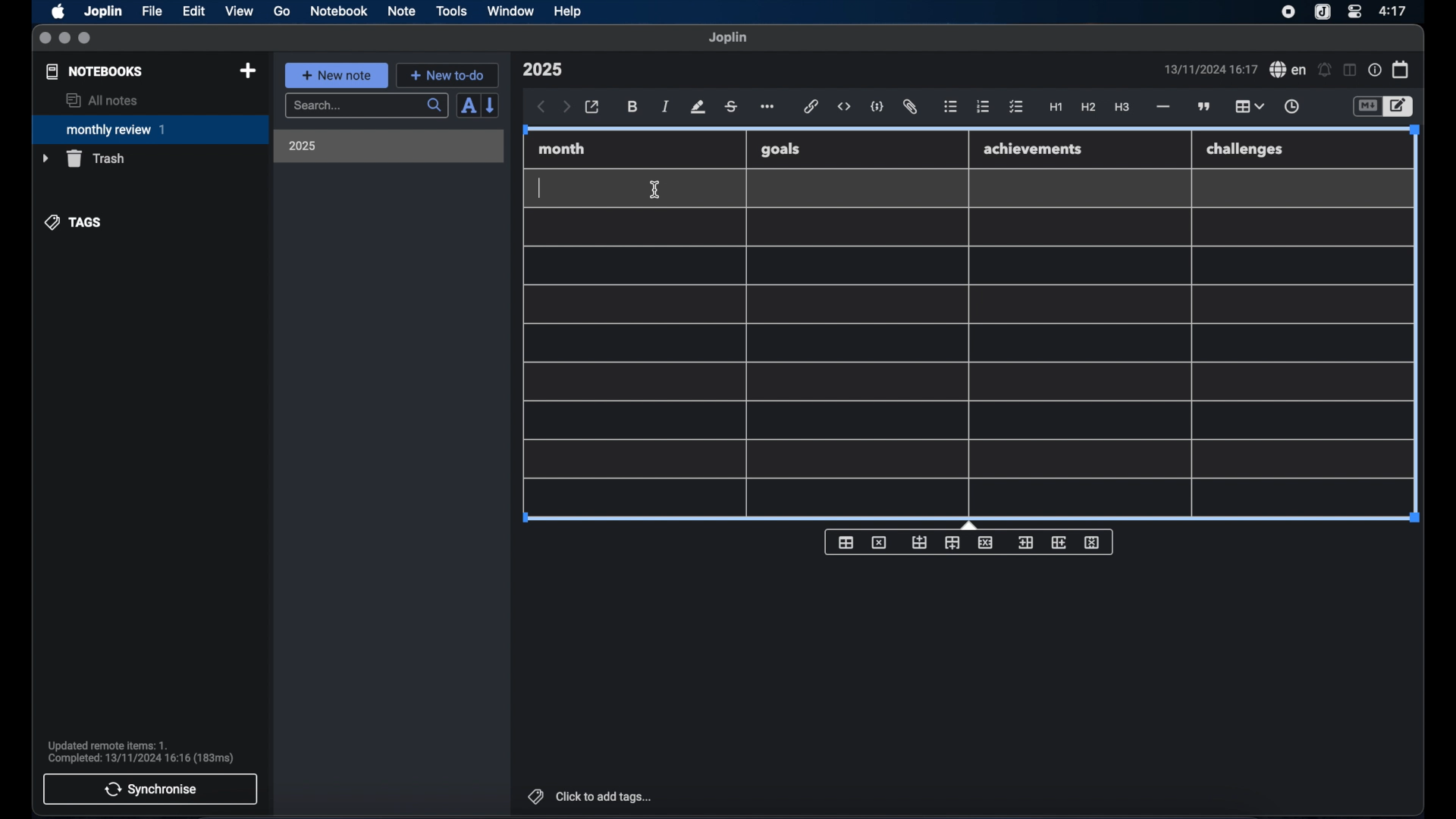 The image size is (1456, 819). What do you see at coordinates (1291, 107) in the screenshot?
I see `insert time` at bounding box center [1291, 107].